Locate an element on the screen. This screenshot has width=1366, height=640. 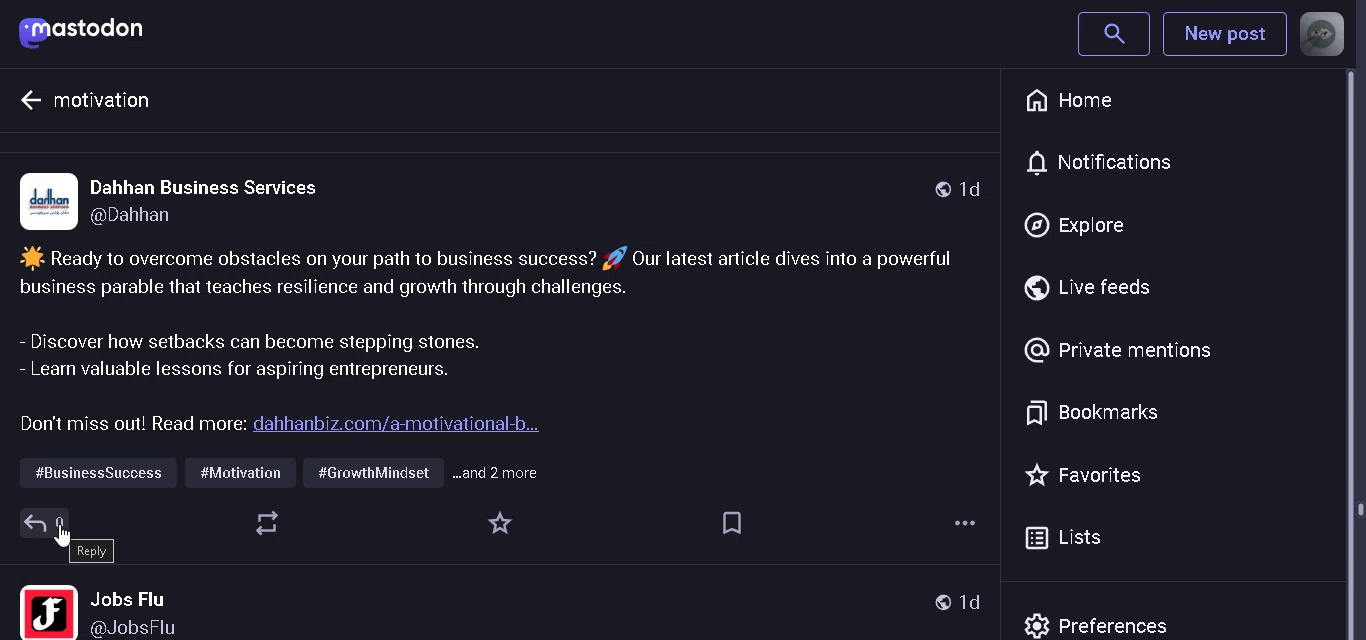
prefrences is located at coordinates (1104, 622).